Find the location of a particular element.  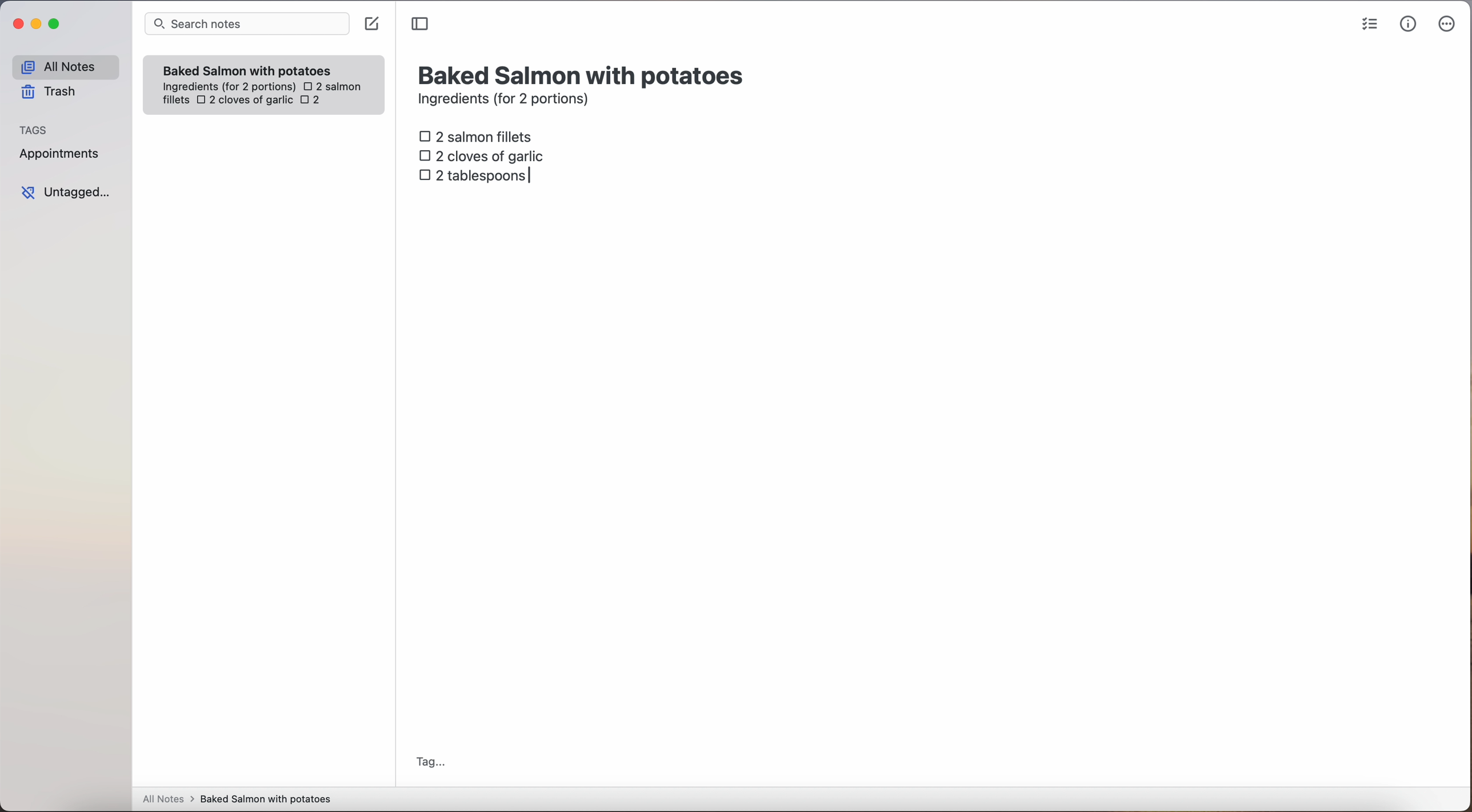

maximize is located at coordinates (56, 23).